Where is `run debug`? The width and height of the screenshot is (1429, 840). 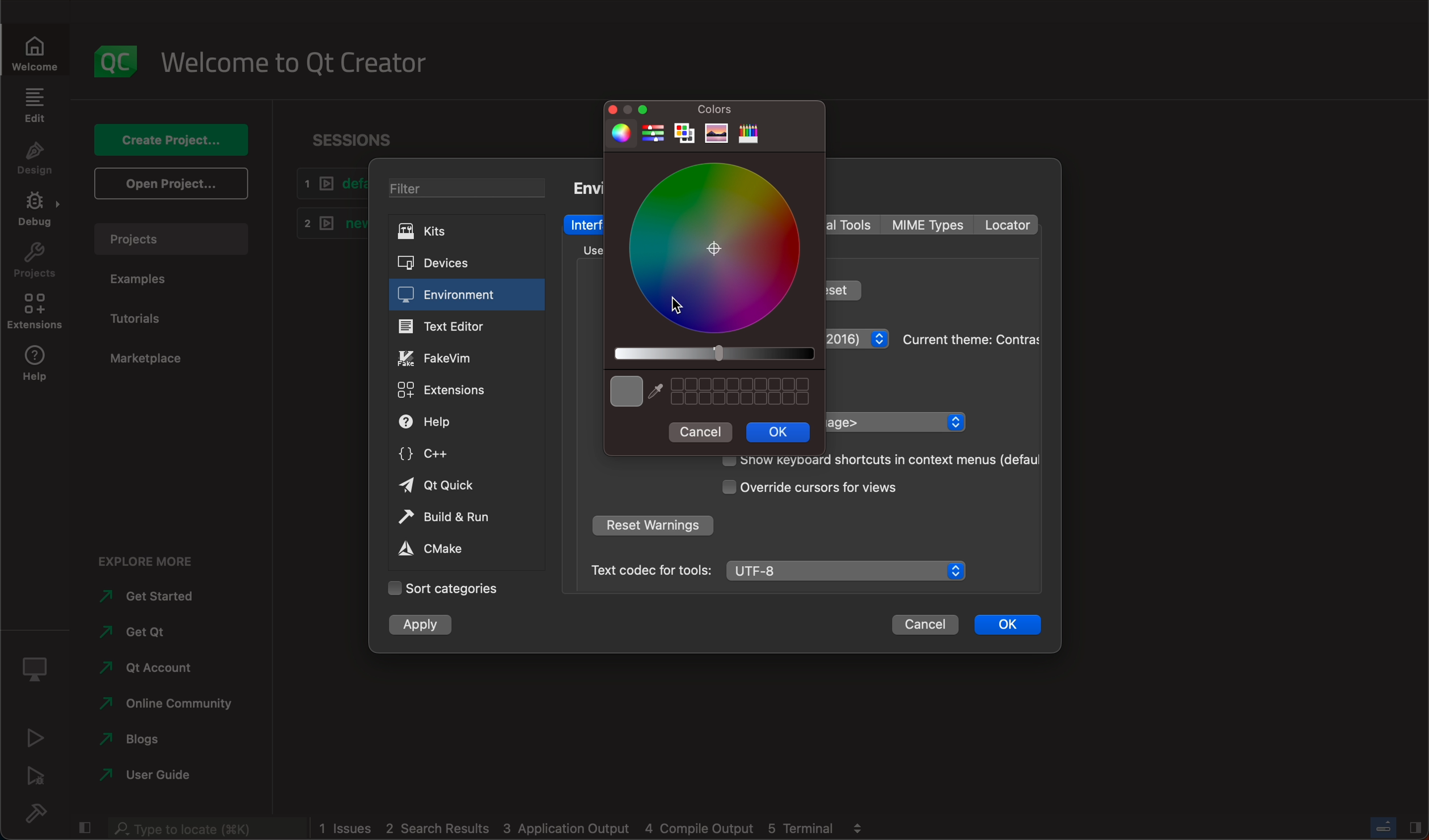 run debug is located at coordinates (38, 775).